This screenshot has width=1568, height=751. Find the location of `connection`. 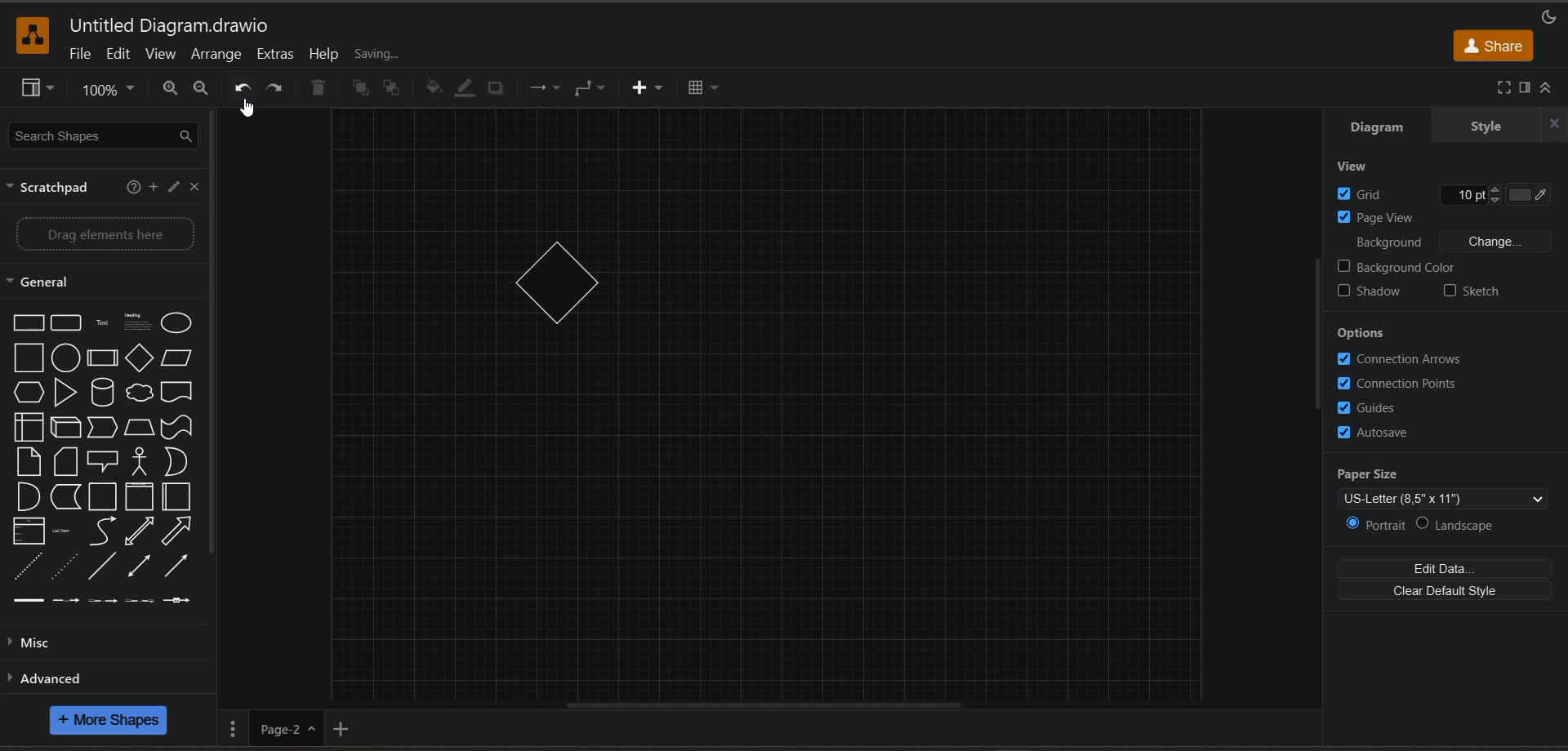

connection is located at coordinates (548, 89).